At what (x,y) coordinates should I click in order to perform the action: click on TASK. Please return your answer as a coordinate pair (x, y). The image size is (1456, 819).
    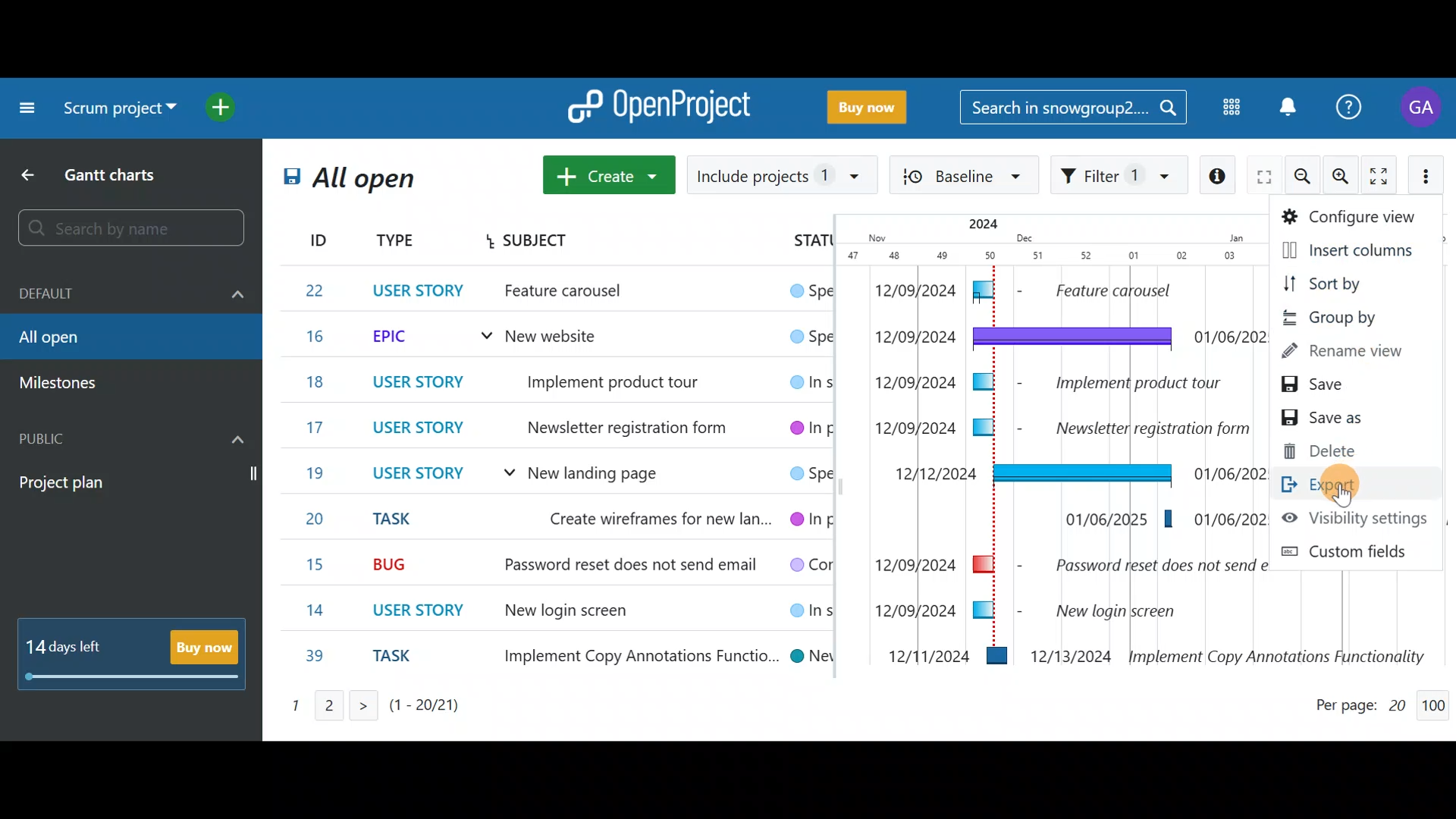
    Looking at the image, I should click on (401, 660).